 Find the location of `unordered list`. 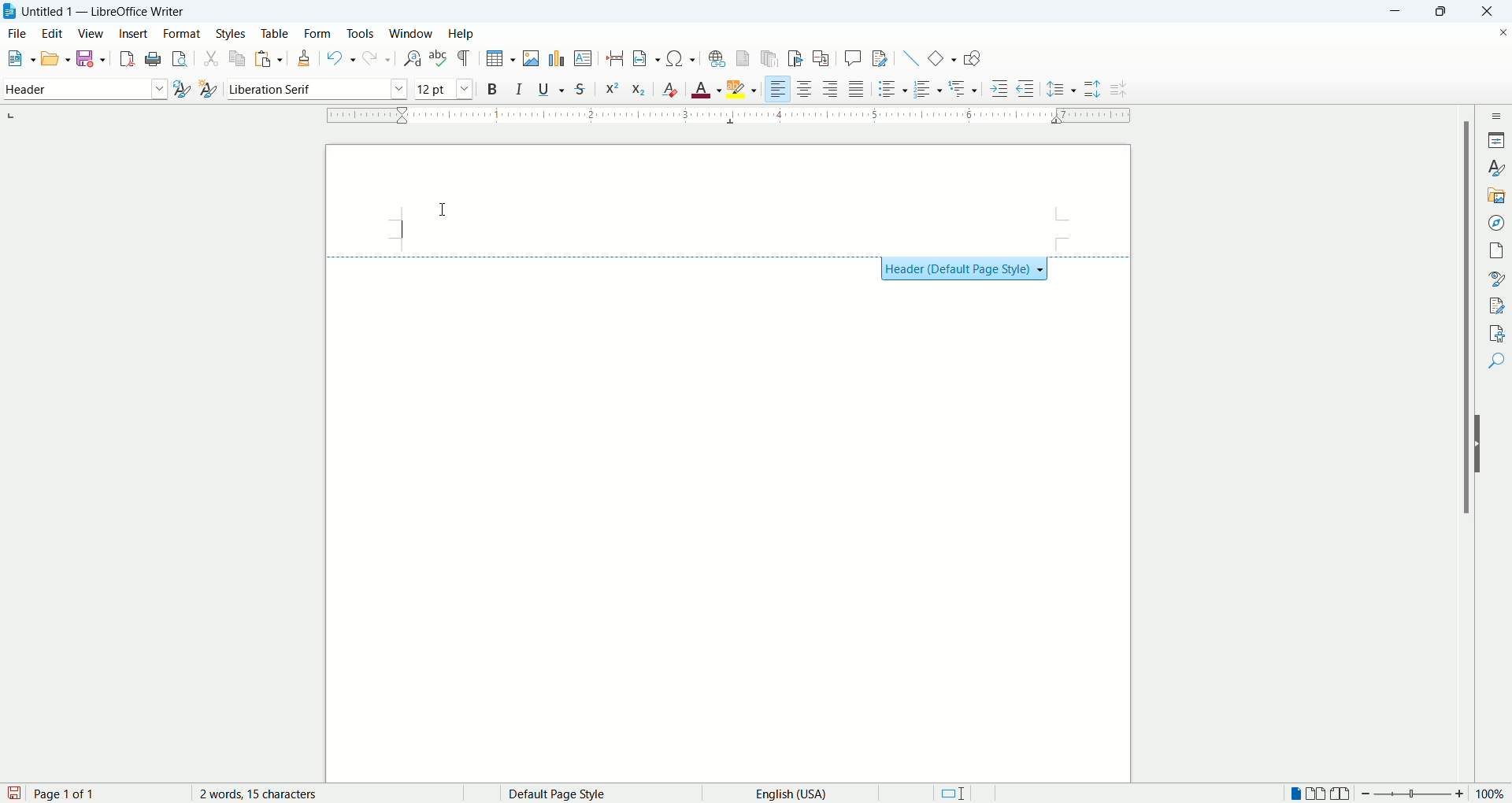

unordered list is located at coordinates (892, 91).